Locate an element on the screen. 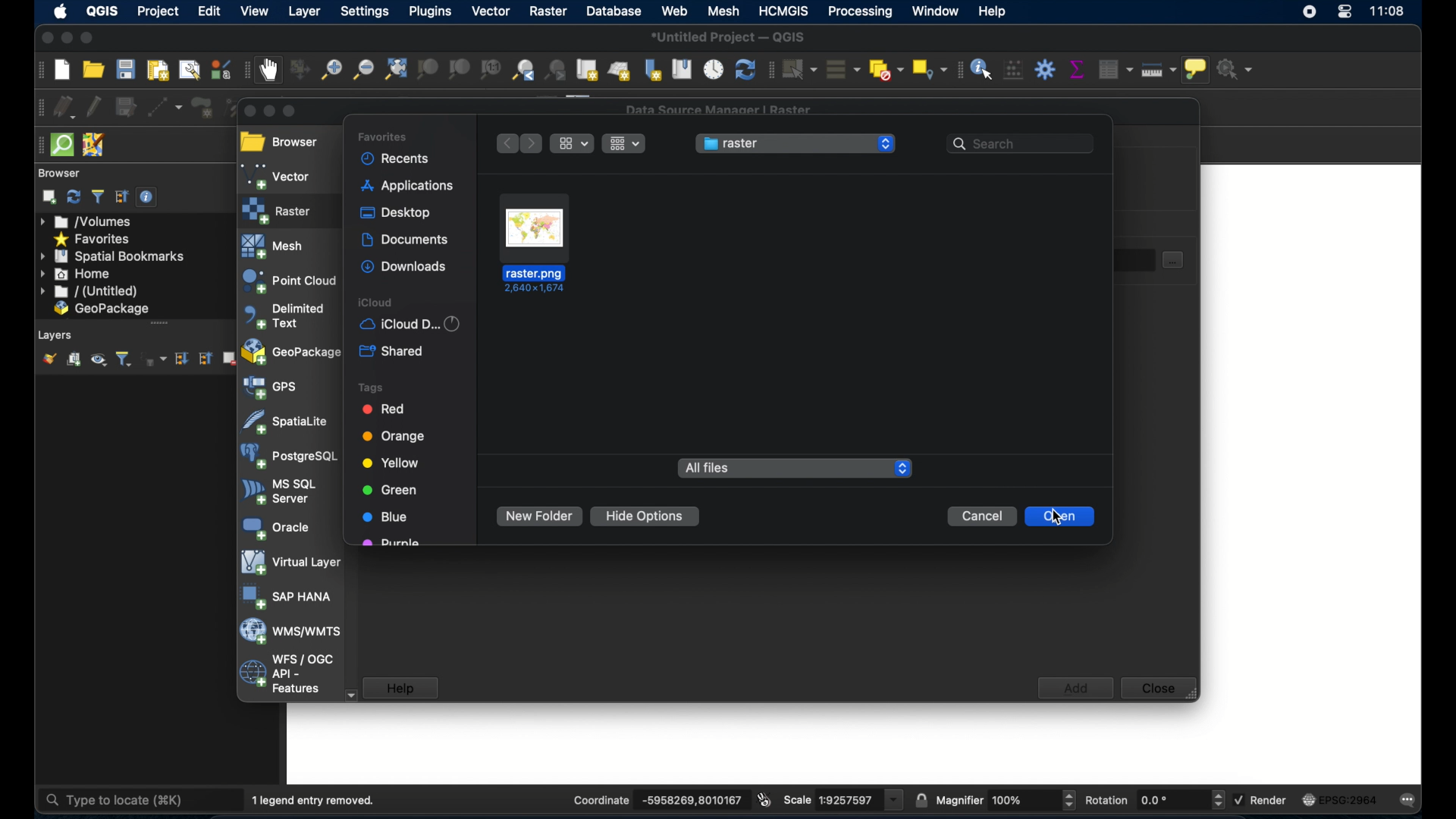 The width and height of the screenshot is (1456, 819). create new project is located at coordinates (61, 70).